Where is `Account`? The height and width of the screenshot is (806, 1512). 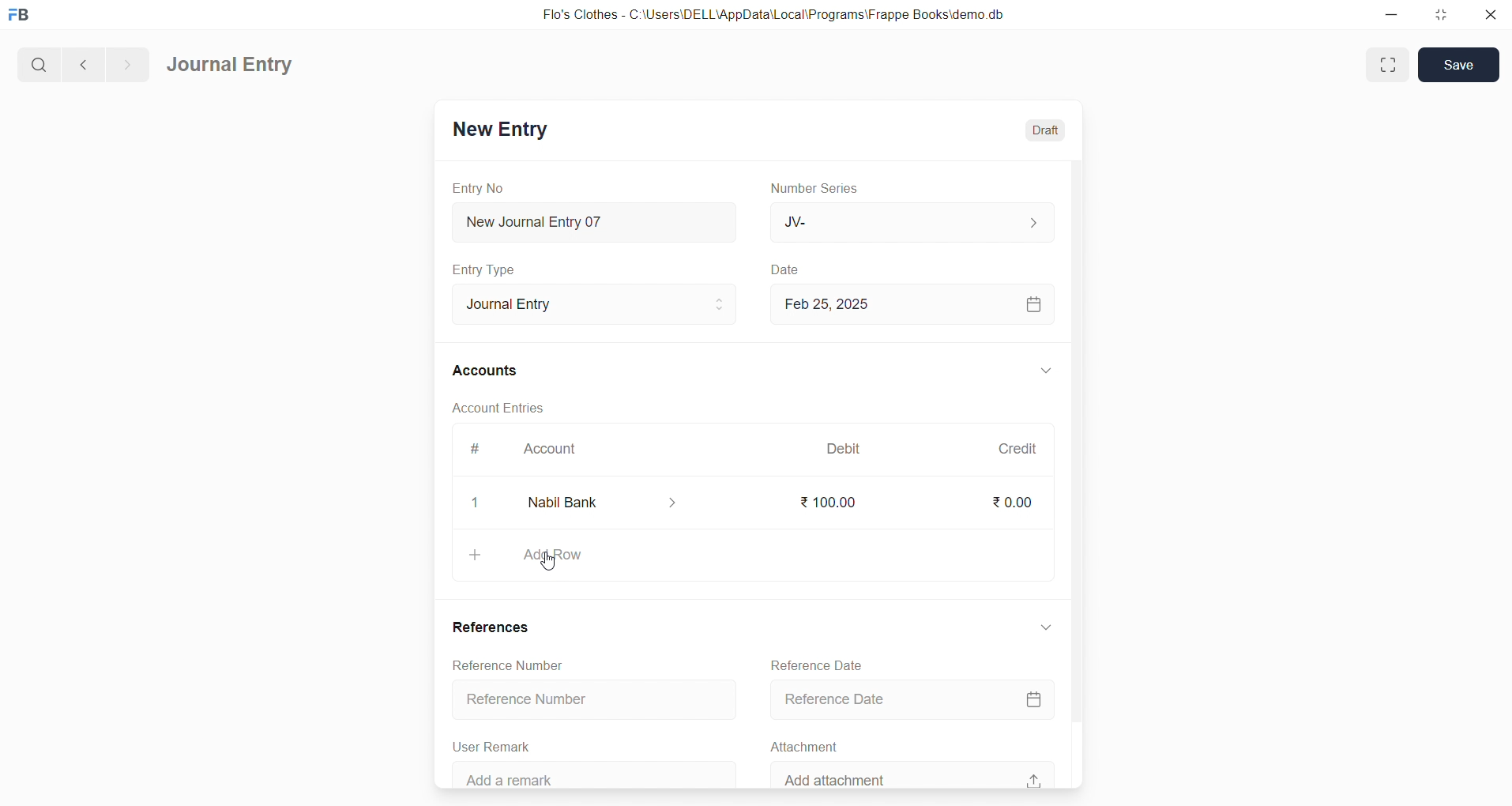
Account is located at coordinates (553, 450).